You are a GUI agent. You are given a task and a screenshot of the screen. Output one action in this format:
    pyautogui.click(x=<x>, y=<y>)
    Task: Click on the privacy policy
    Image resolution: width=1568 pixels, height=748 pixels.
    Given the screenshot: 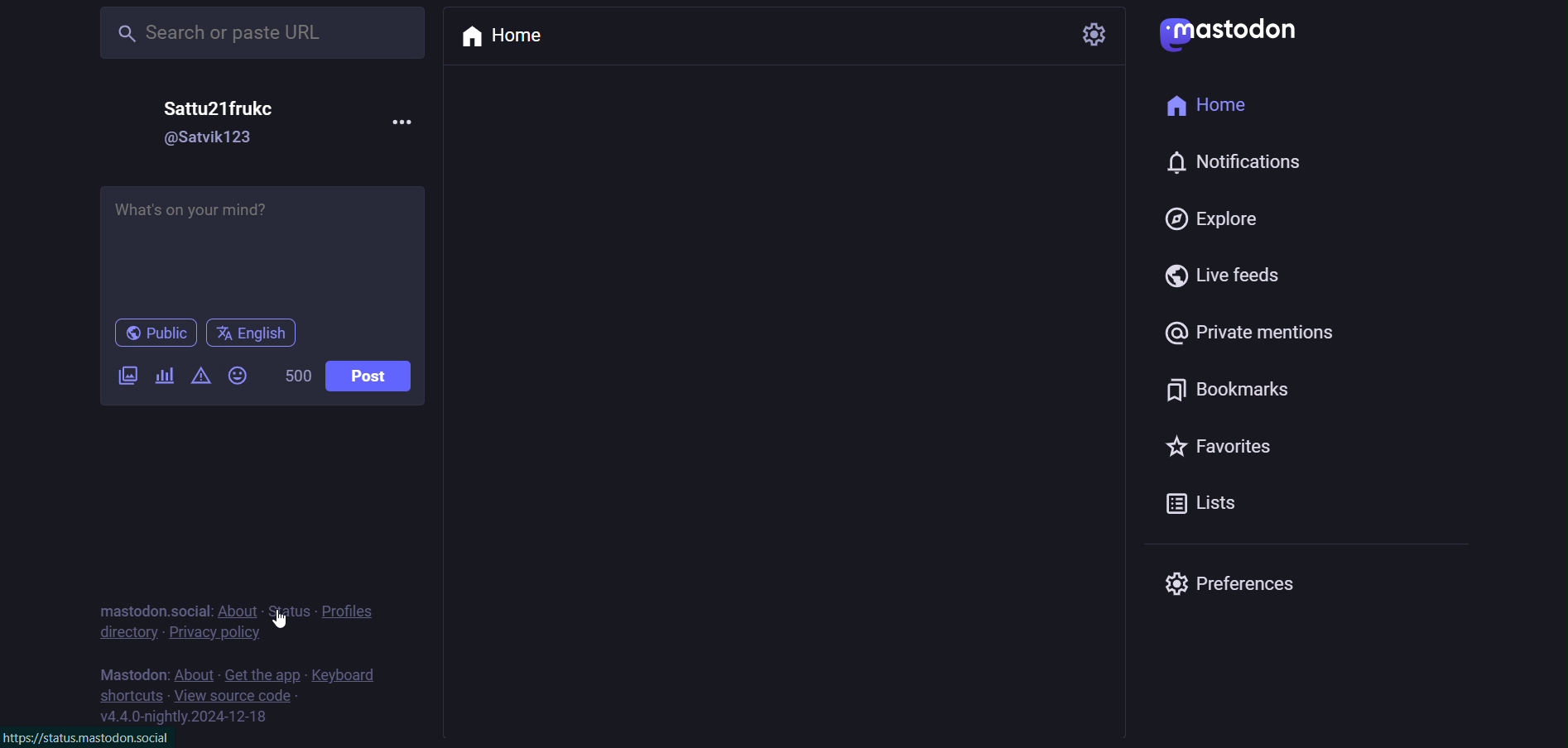 What is the action you would take?
    pyautogui.click(x=213, y=632)
    